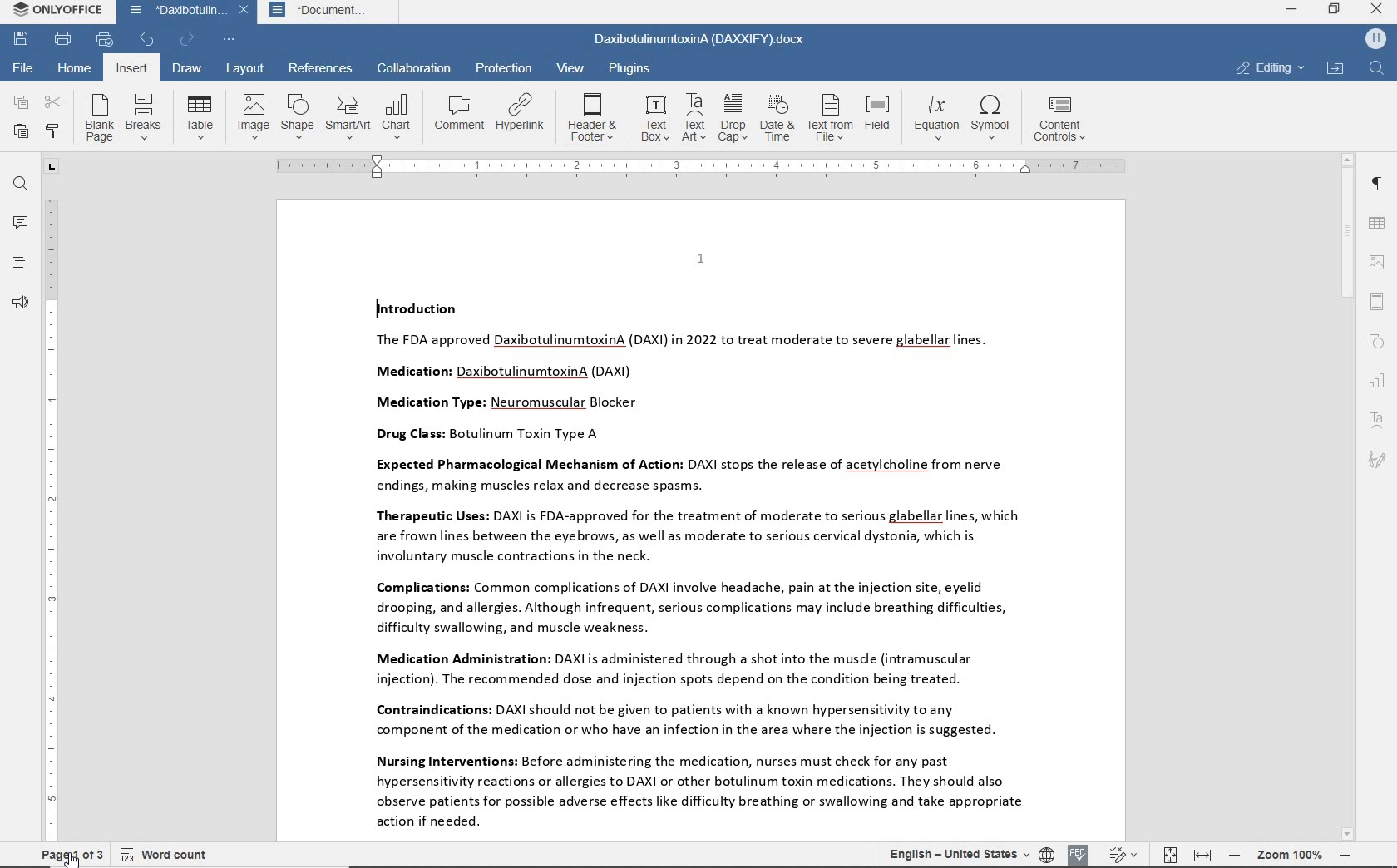 The height and width of the screenshot is (868, 1397). I want to click on zoom in, so click(1344, 855).